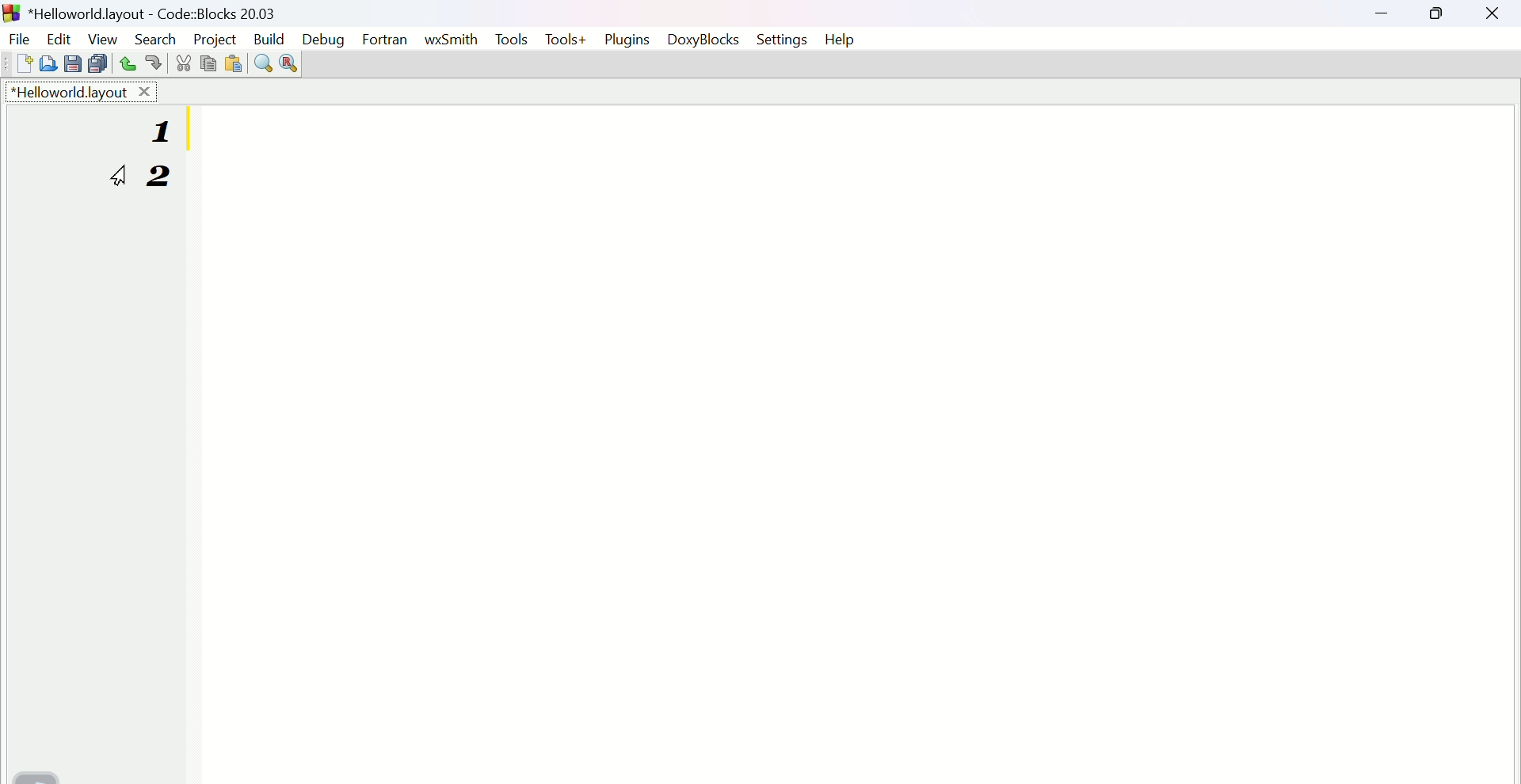 The image size is (1521, 784). Describe the element at coordinates (269, 36) in the screenshot. I see `Build` at that location.